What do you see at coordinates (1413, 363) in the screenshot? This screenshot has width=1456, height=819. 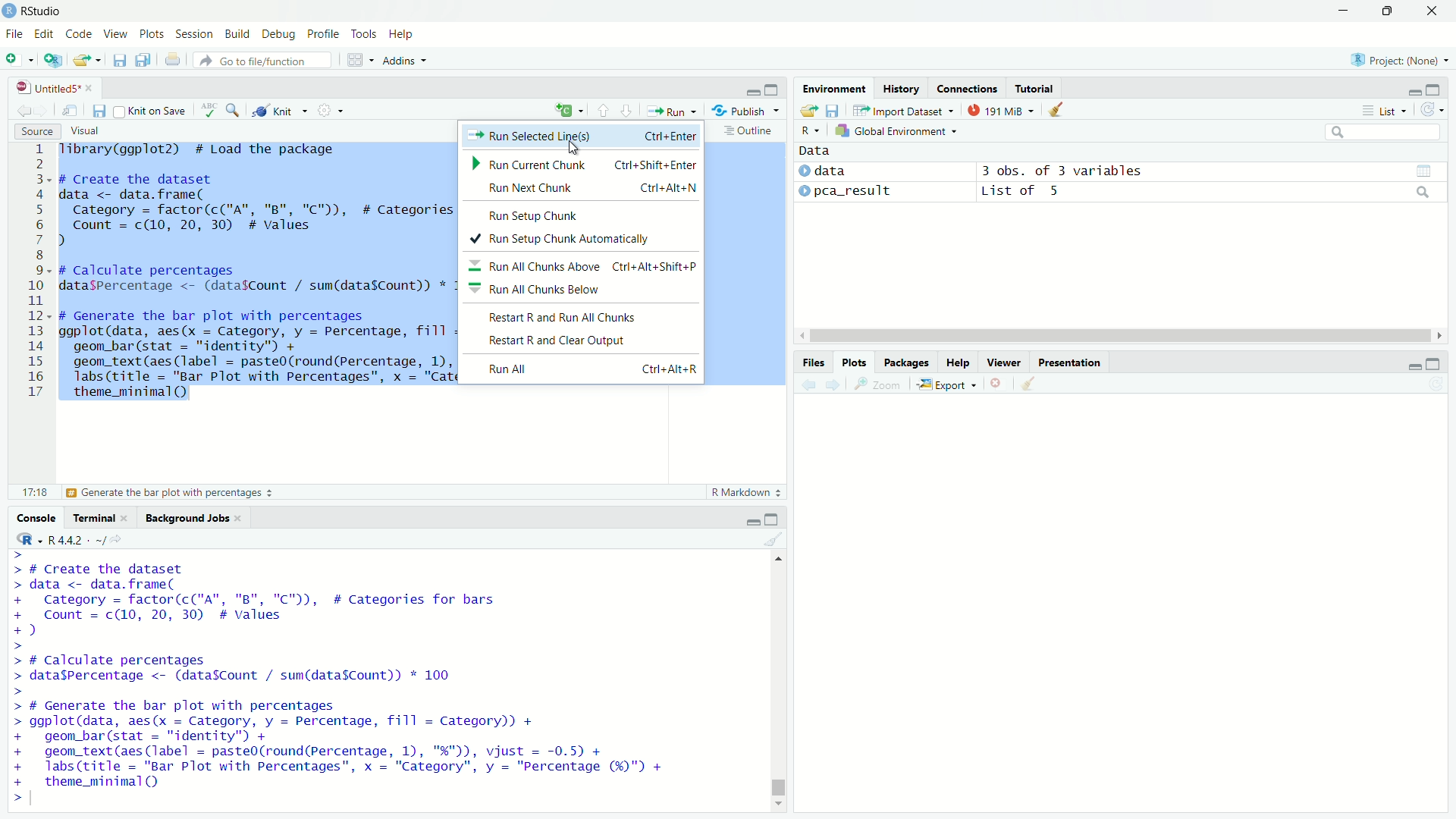 I see `minimize` at bounding box center [1413, 363].